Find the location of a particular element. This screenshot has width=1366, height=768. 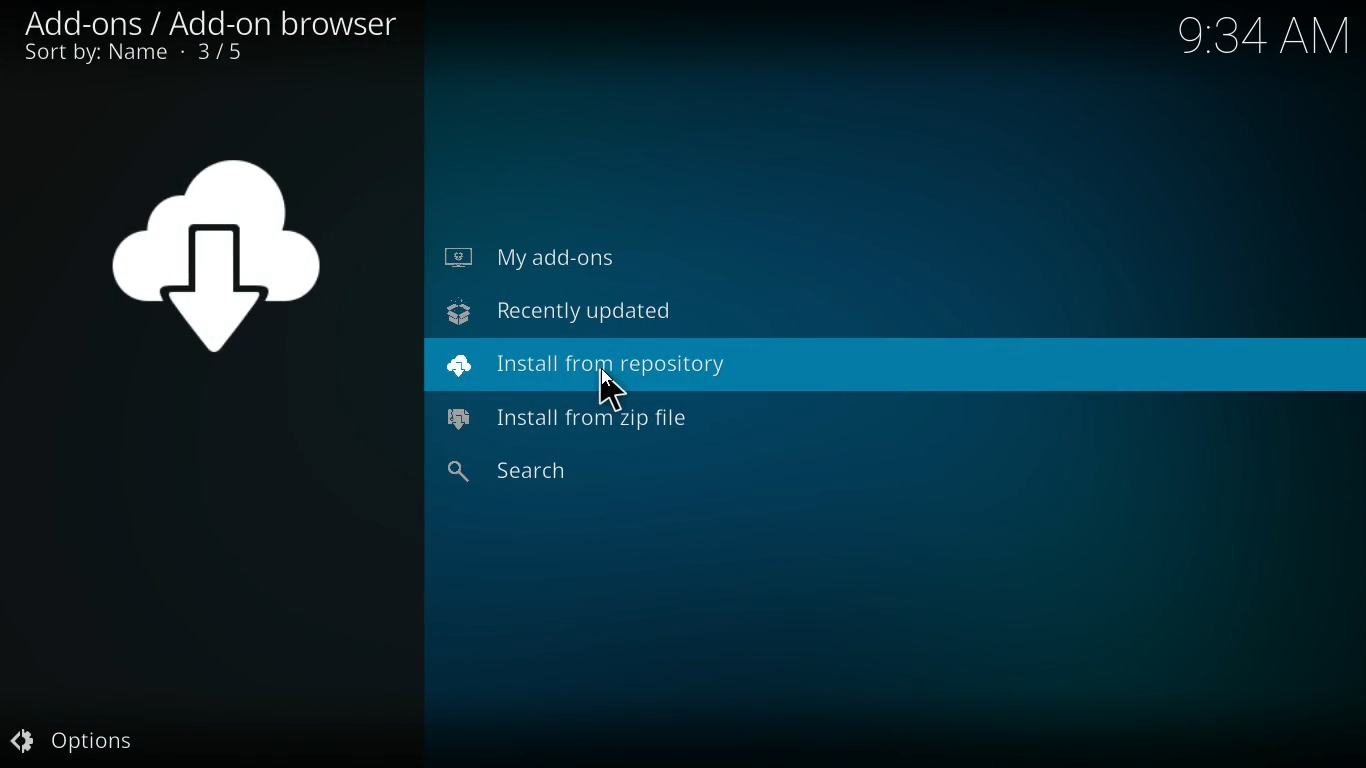

install from repository is located at coordinates (614, 370).